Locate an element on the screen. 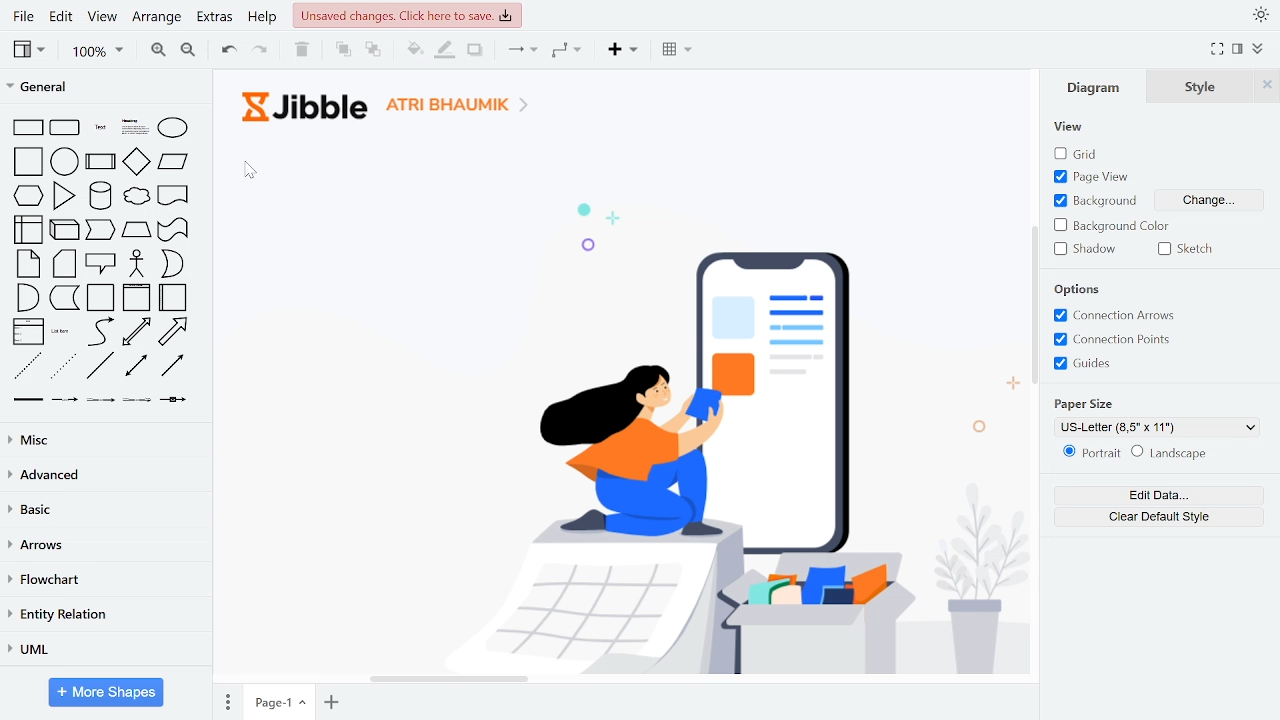  File is located at coordinates (20, 17).